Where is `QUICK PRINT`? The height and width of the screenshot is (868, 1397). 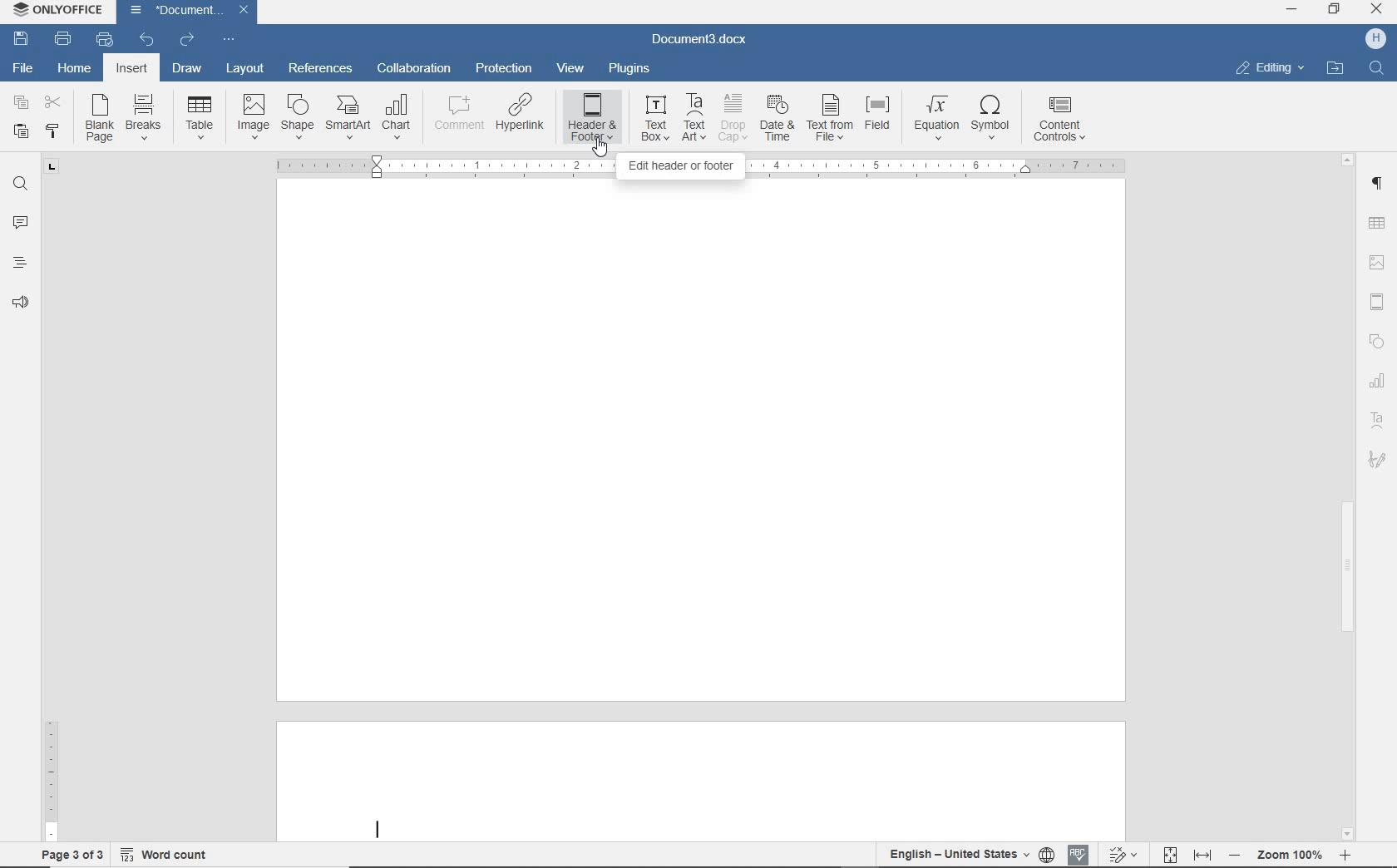 QUICK PRINT is located at coordinates (107, 40).